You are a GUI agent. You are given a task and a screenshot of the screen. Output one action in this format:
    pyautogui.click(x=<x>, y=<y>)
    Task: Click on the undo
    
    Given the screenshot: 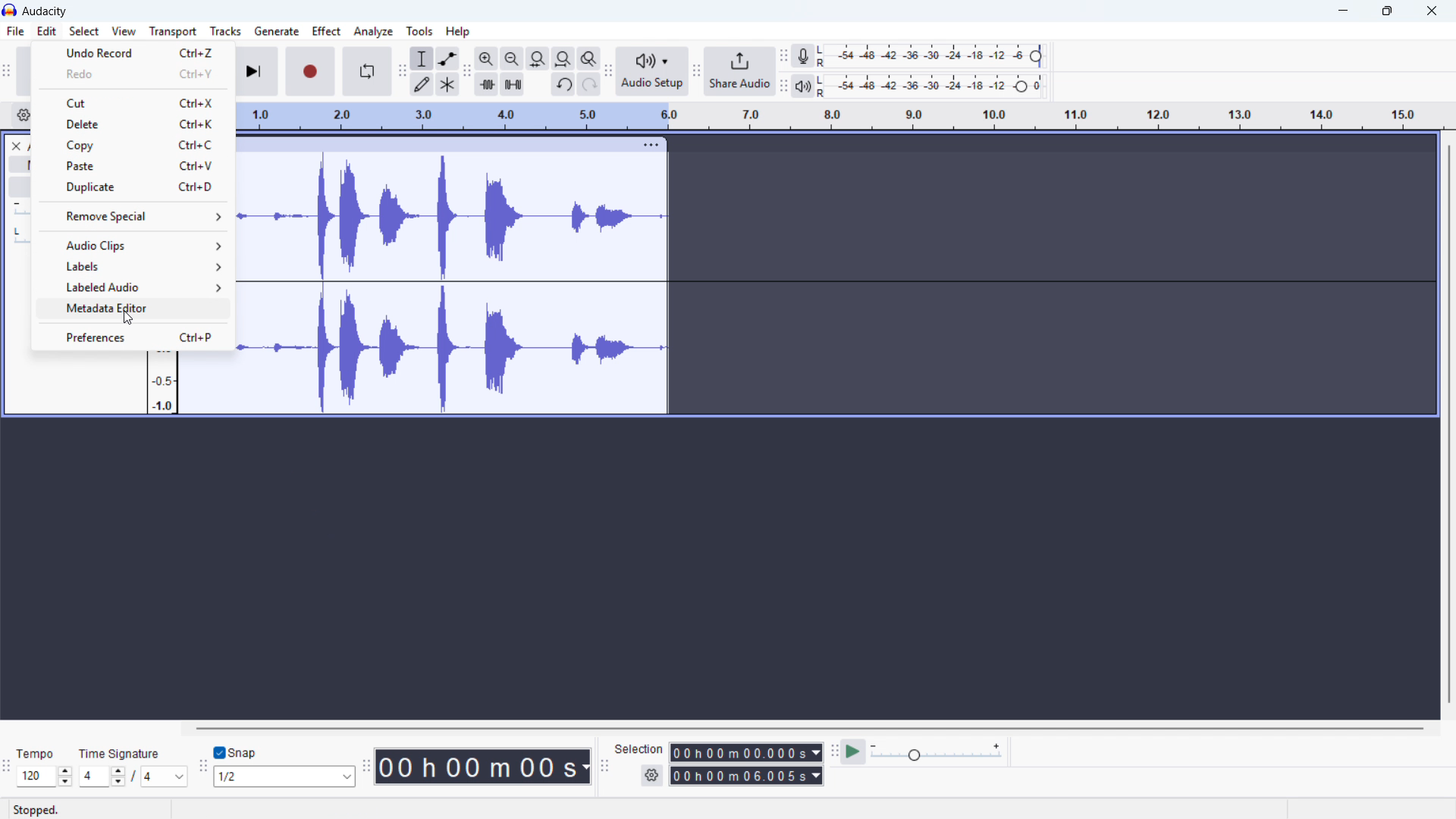 What is the action you would take?
    pyautogui.click(x=563, y=85)
    